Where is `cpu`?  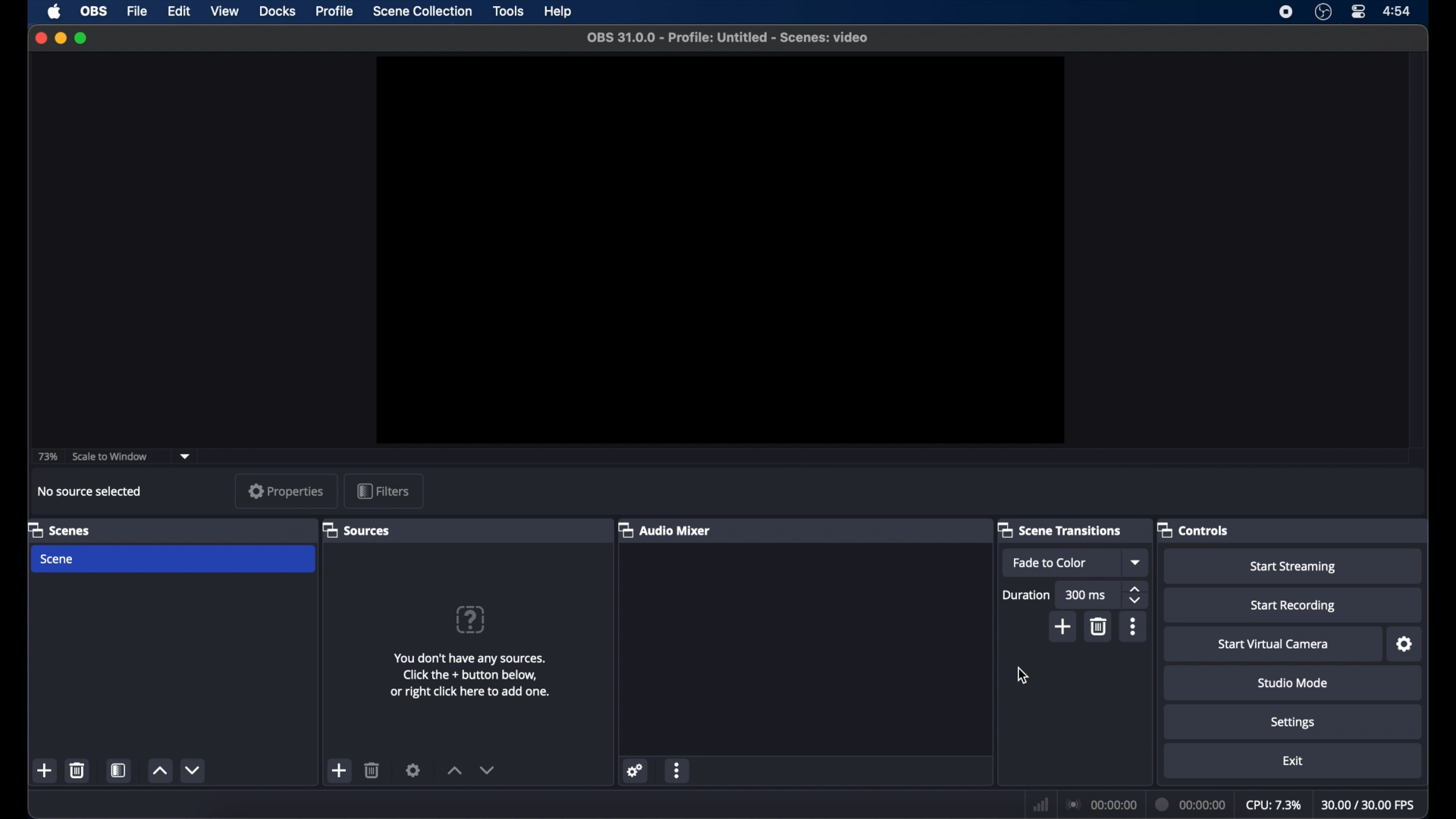 cpu is located at coordinates (1273, 805).